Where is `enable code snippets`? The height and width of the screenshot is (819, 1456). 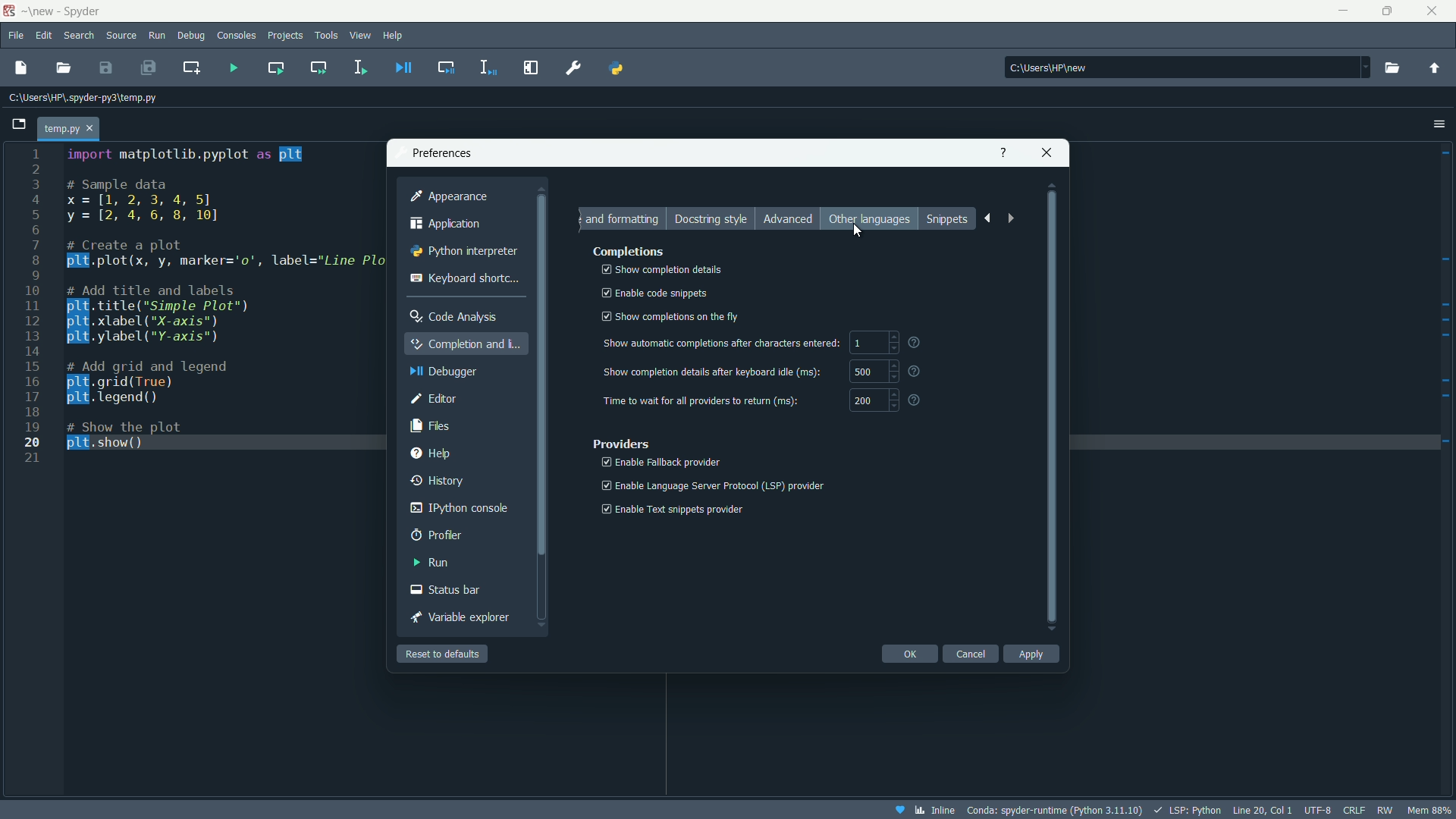
enable code snippets is located at coordinates (654, 293).